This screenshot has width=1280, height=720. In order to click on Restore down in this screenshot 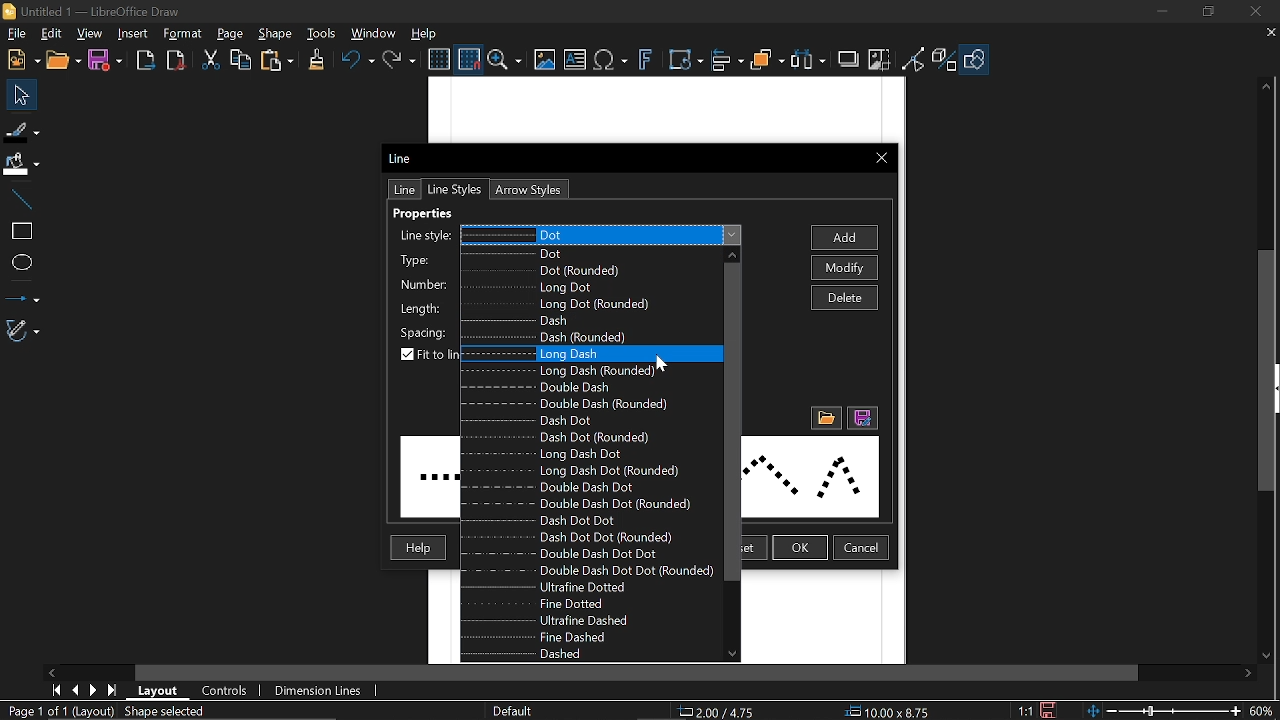, I will do `click(1208, 13)`.